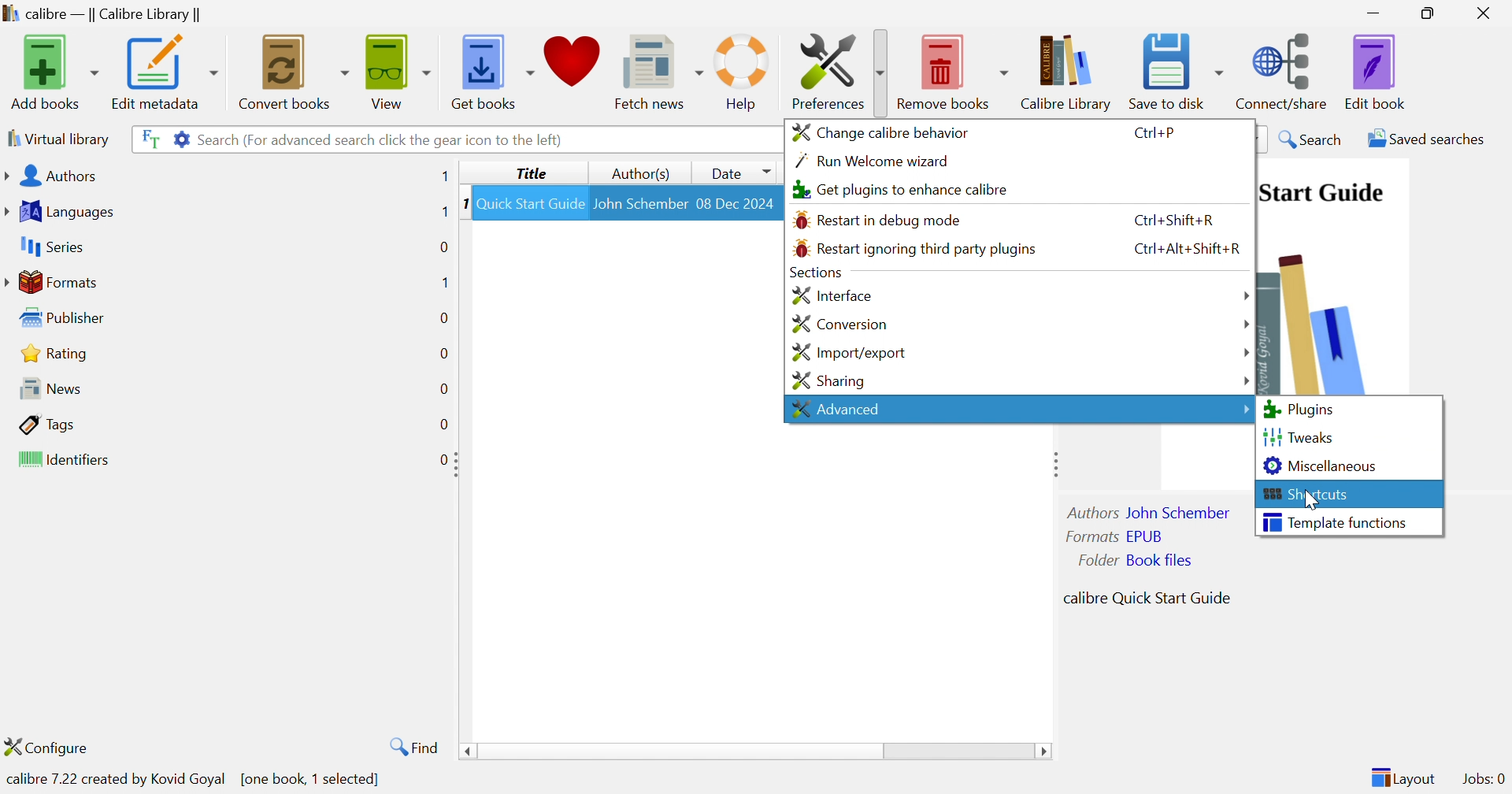 The height and width of the screenshot is (794, 1512). What do you see at coordinates (873, 161) in the screenshot?
I see `Run welcome wizard` at bounding box center [873, 161].